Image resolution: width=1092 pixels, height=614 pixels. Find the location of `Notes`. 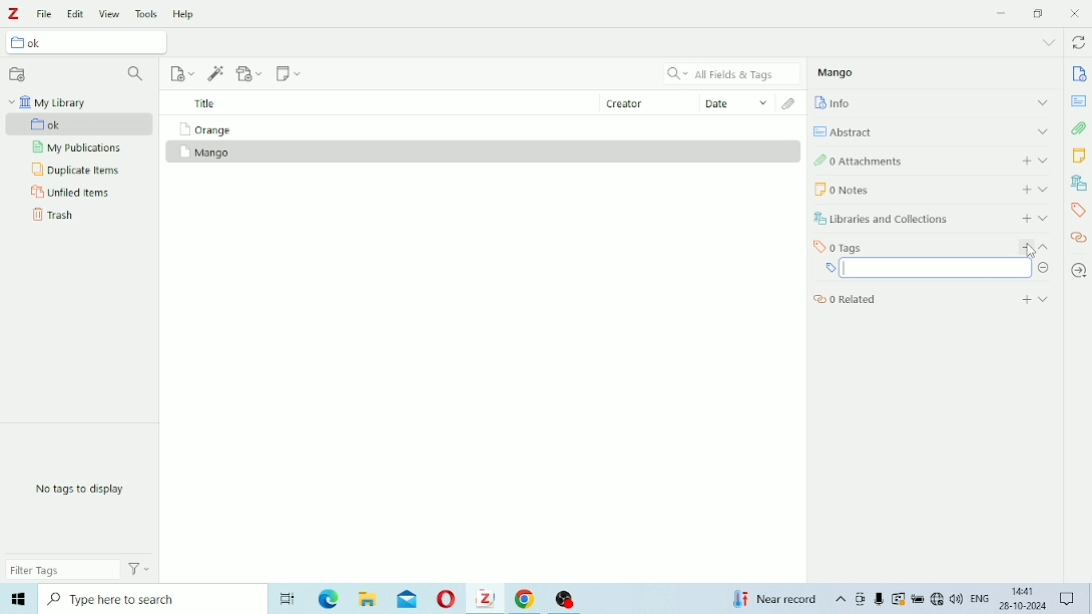

Notes is located at coordinates (932, 189).